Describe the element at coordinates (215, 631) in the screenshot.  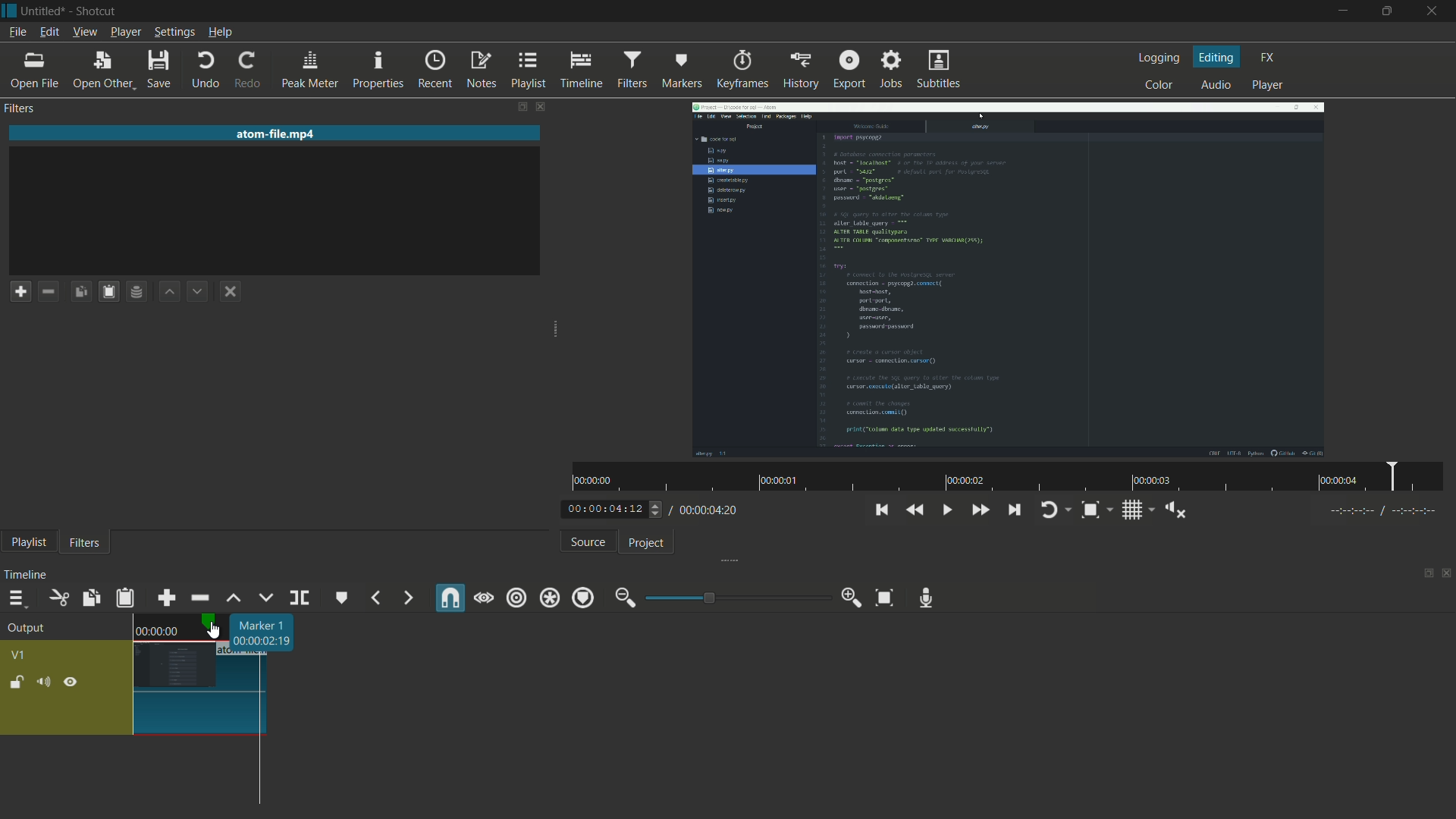
I see `cursor` at that location.